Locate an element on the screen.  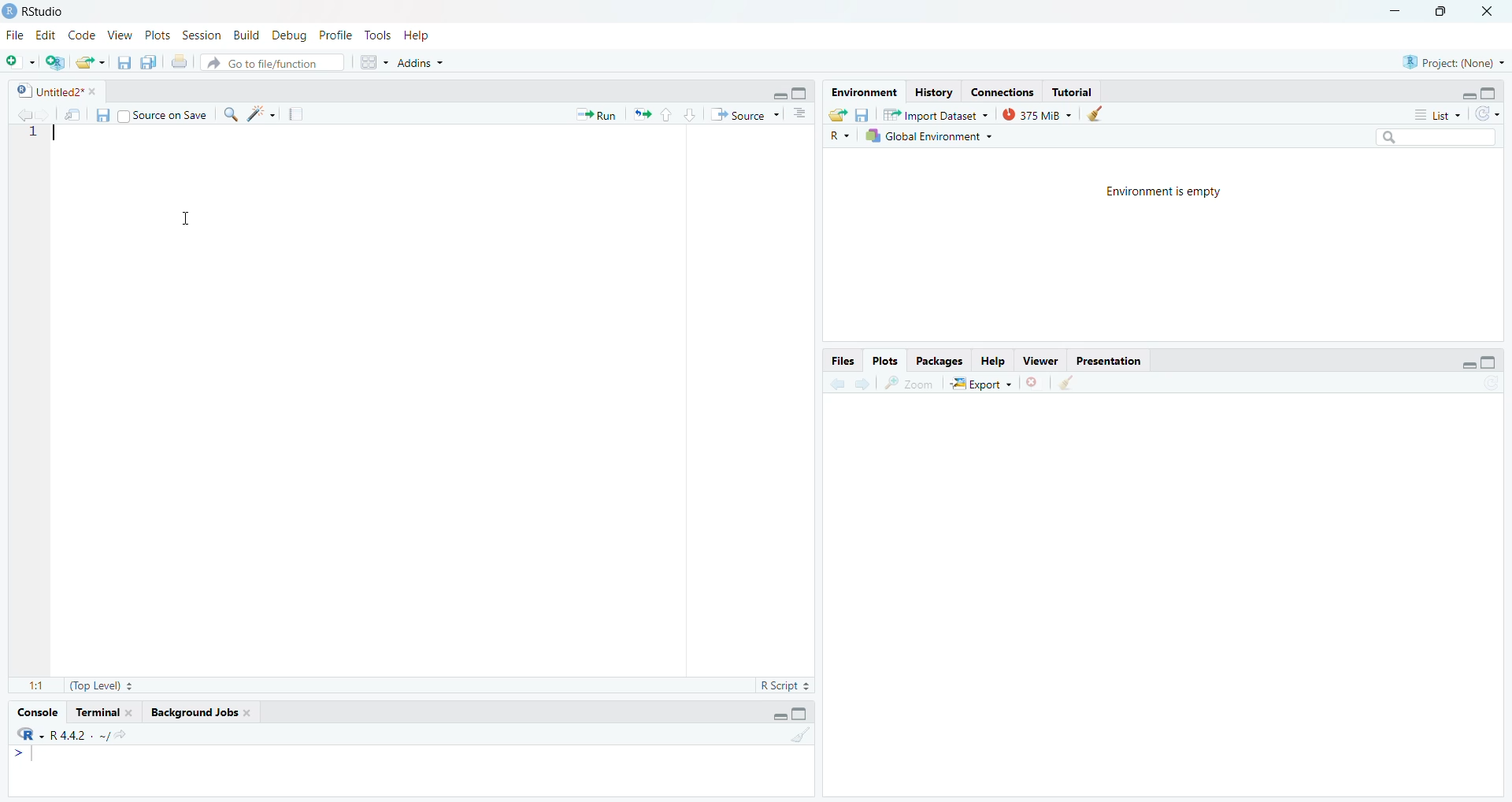
save is located at coordinates (864, 114).